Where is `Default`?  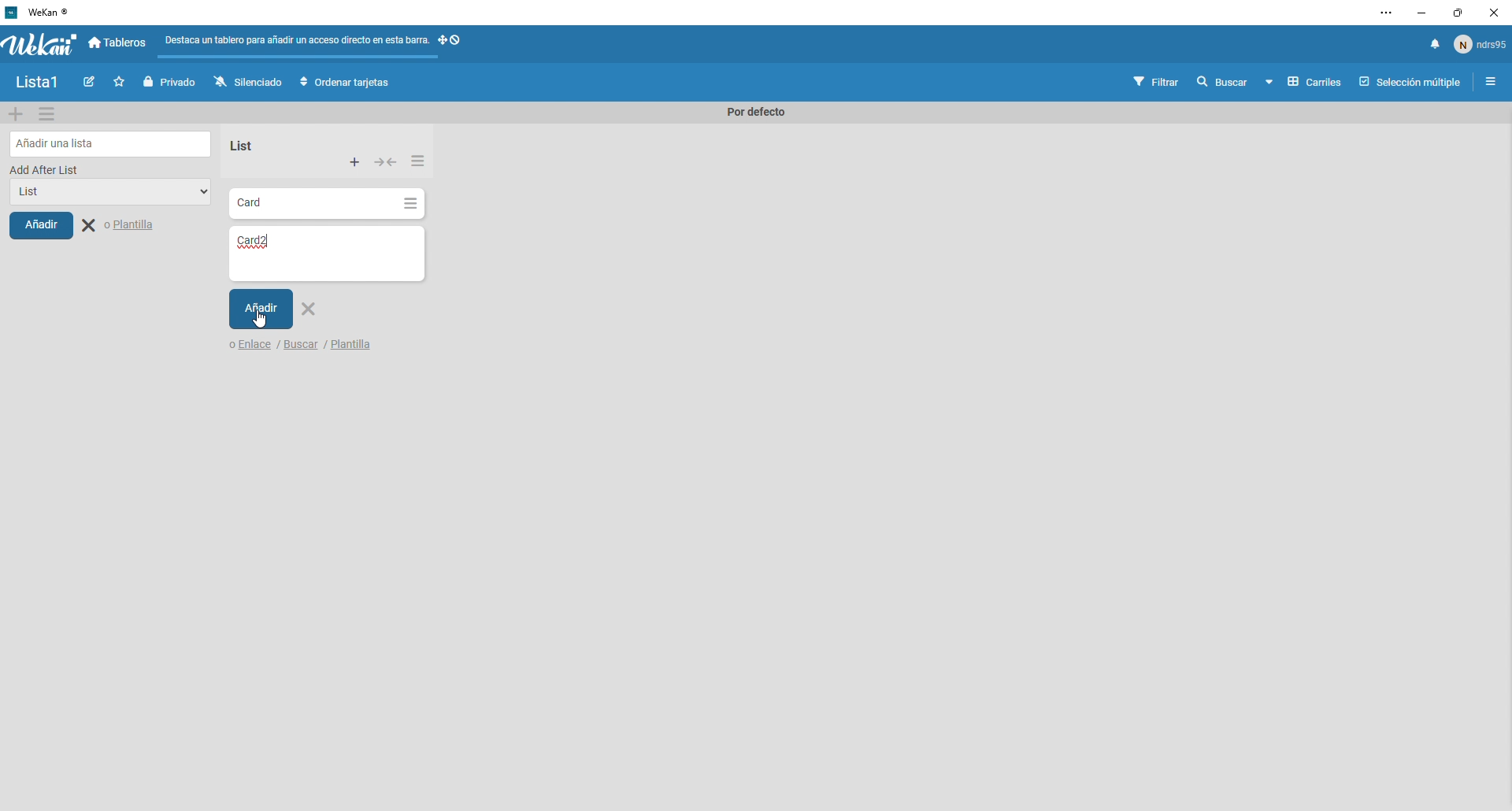
Default is located at coordinates (751, 113).